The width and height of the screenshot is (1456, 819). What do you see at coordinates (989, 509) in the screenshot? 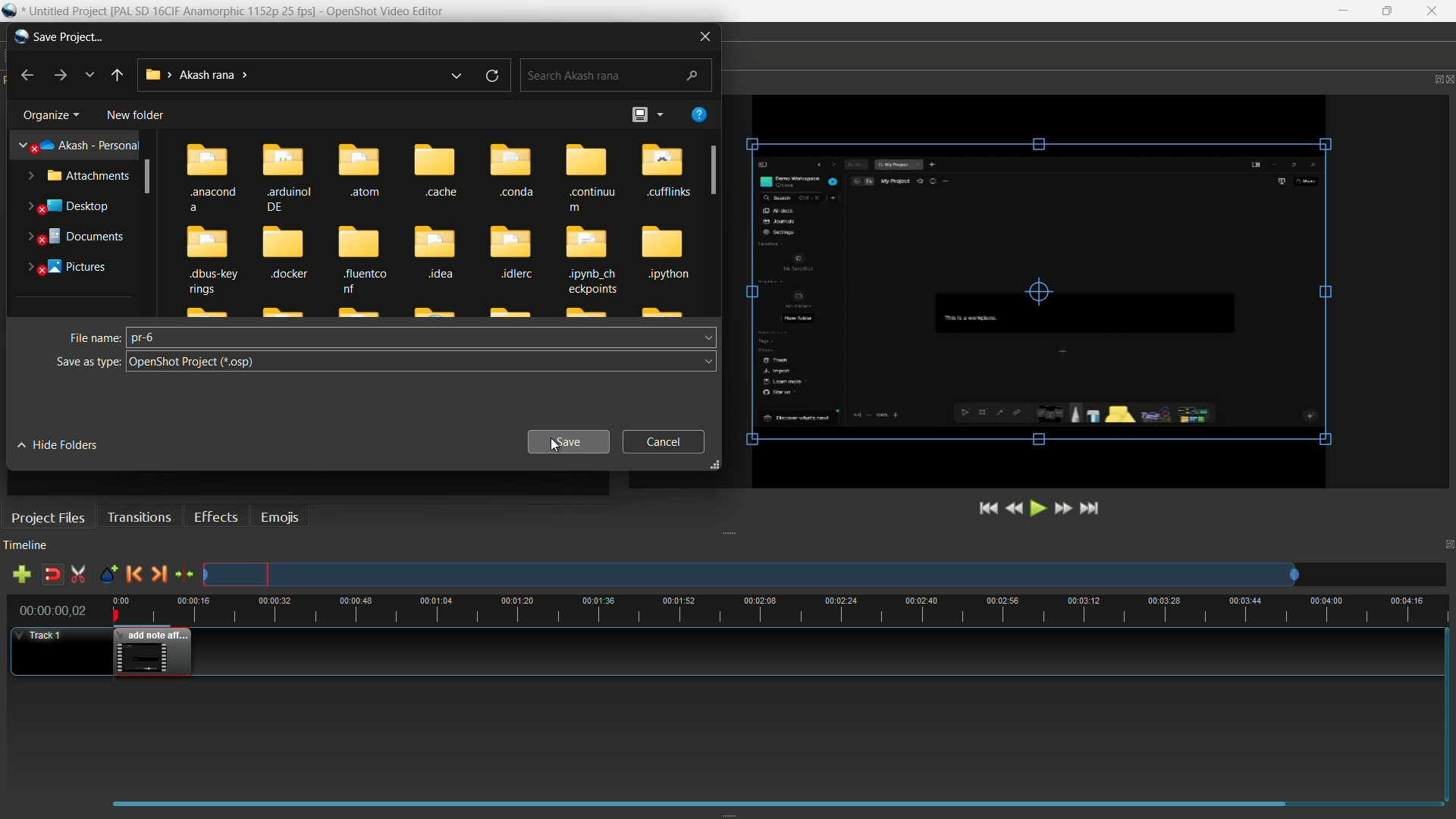
I see `jump to start` at bounding box center [989, 509].